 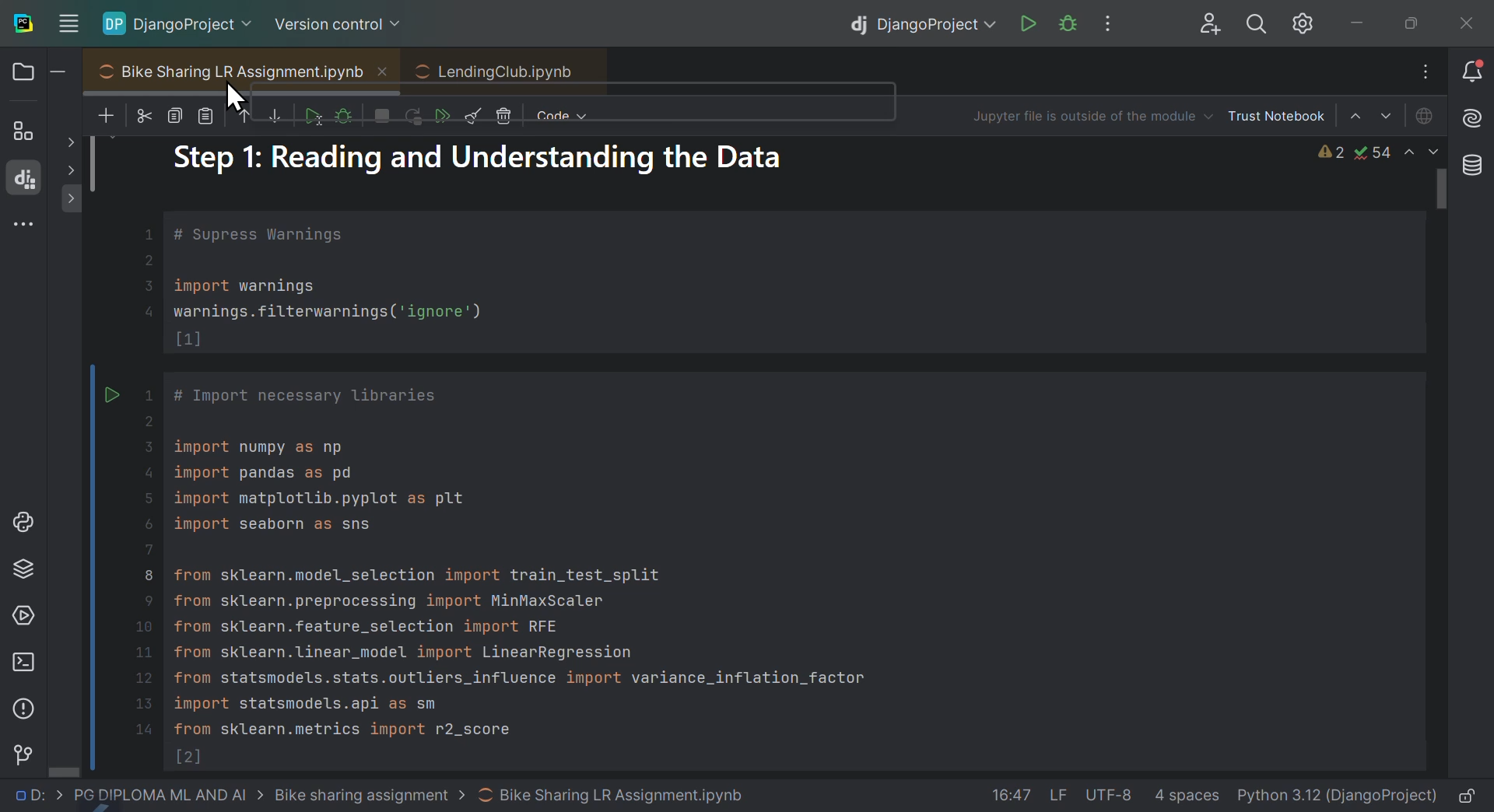 I want to click on Delete, so click(x=510, y=114).